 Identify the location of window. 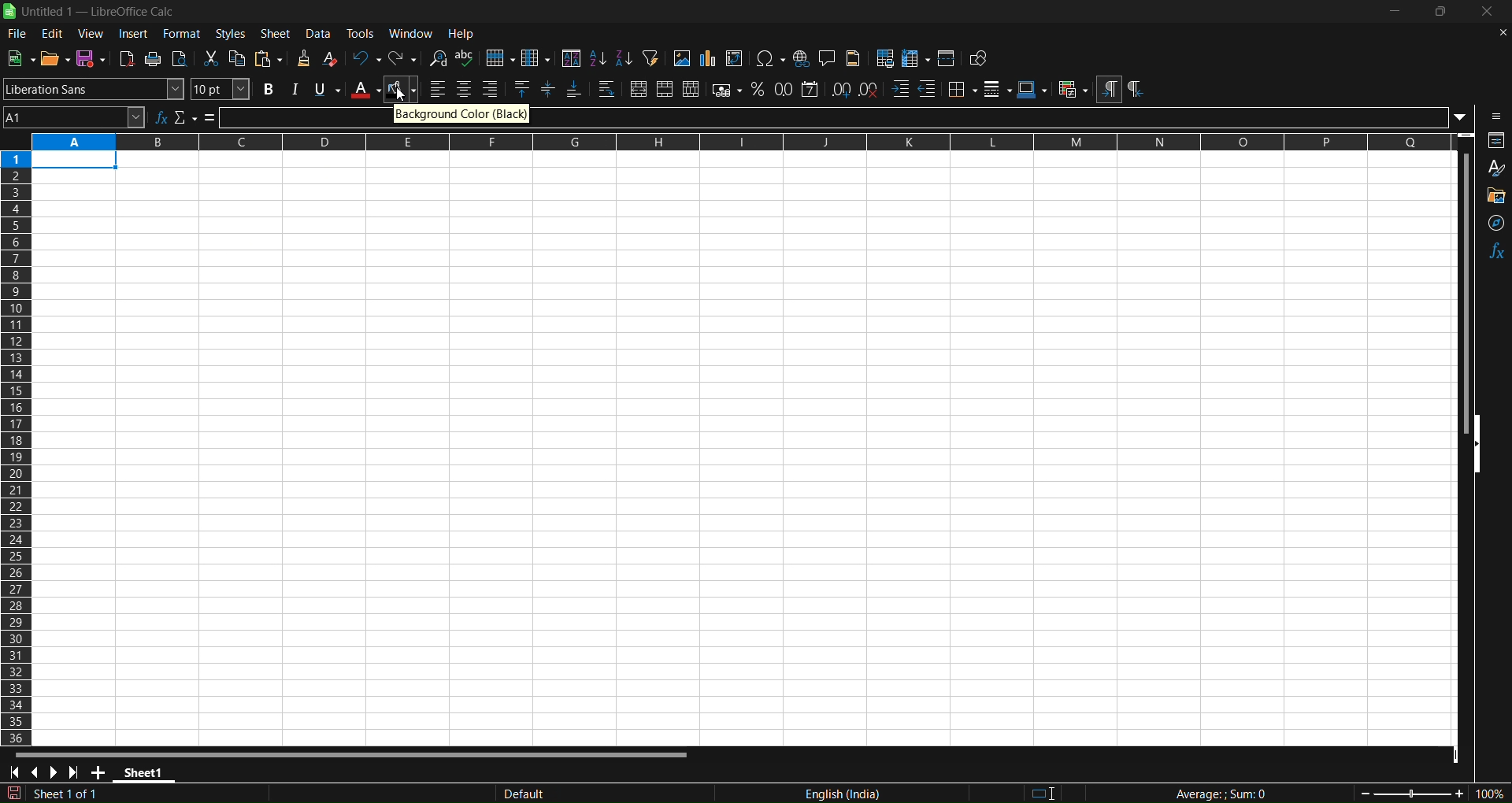
(411, 35).